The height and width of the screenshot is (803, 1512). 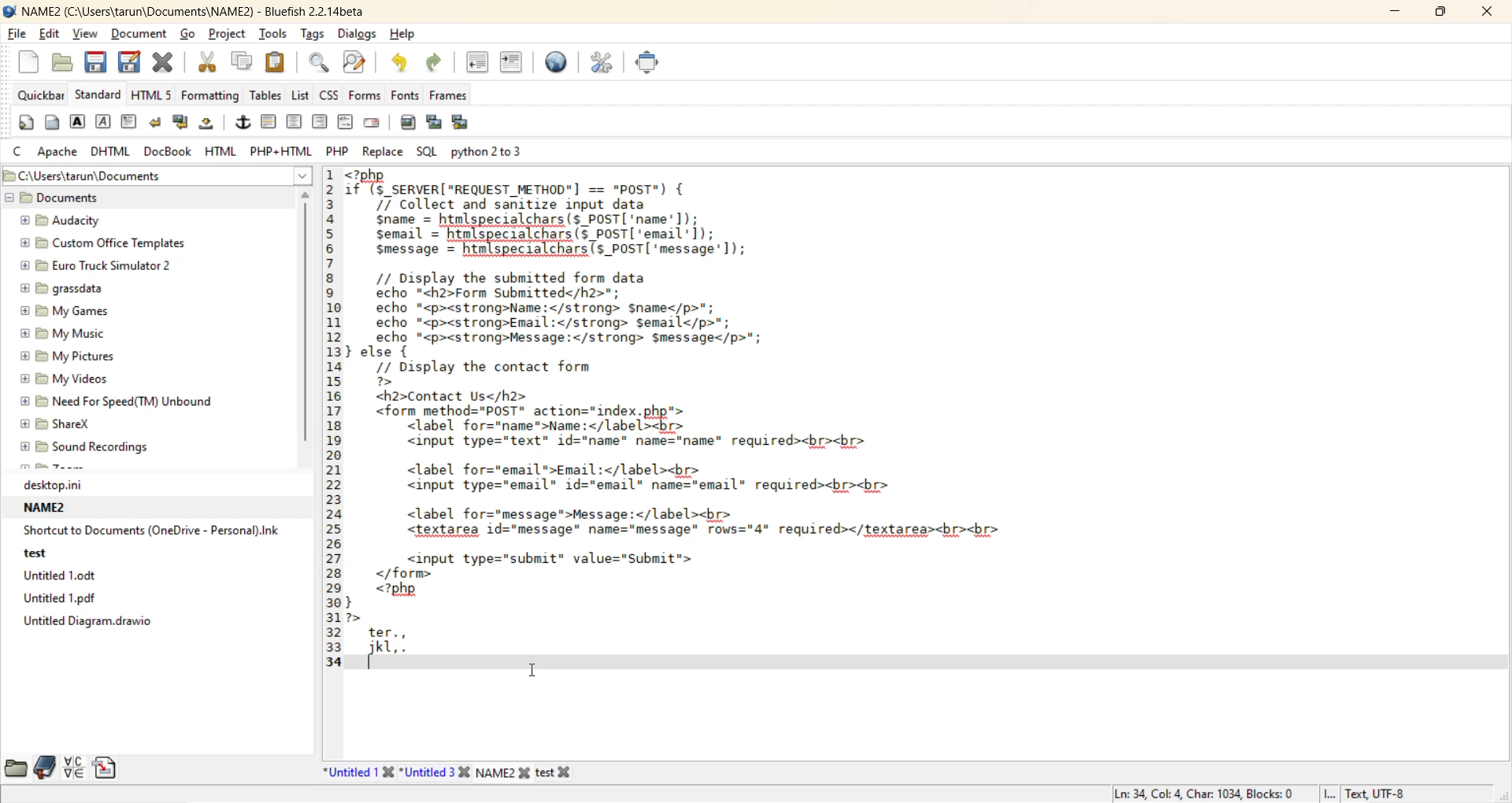 I want to click on python 2 to 3, so click(x=501, y=150).